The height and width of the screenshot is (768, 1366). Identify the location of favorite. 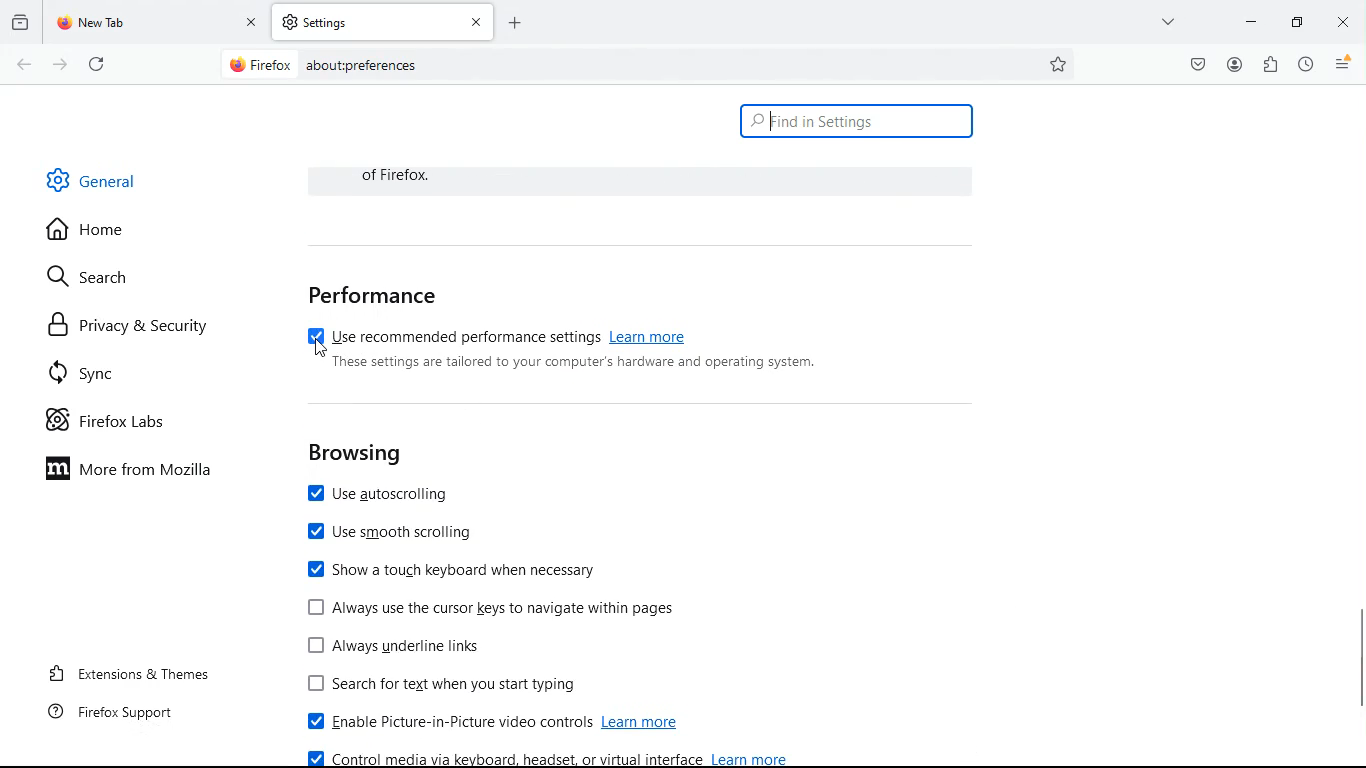
(1059, 65).